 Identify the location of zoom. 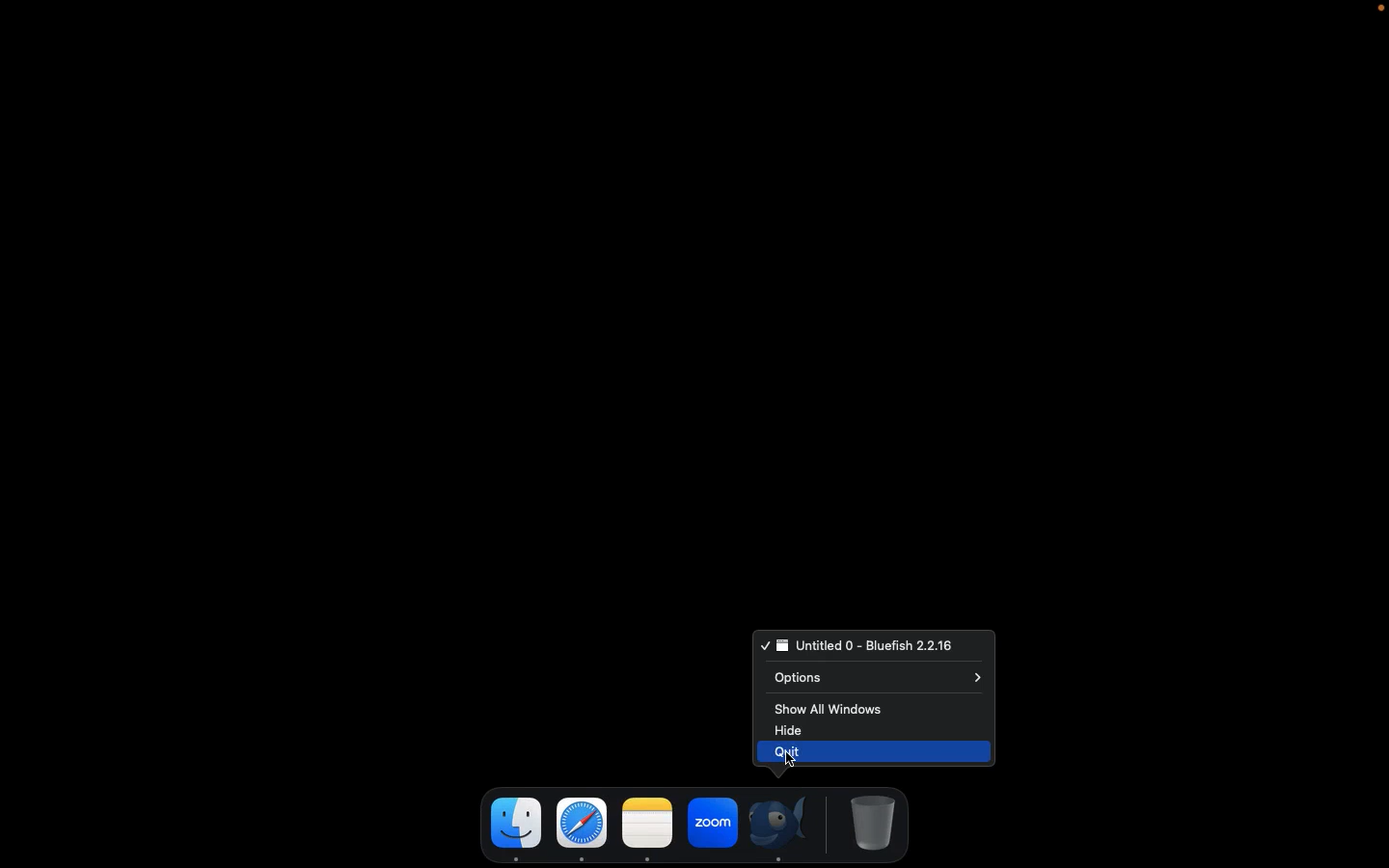
(711, 826).